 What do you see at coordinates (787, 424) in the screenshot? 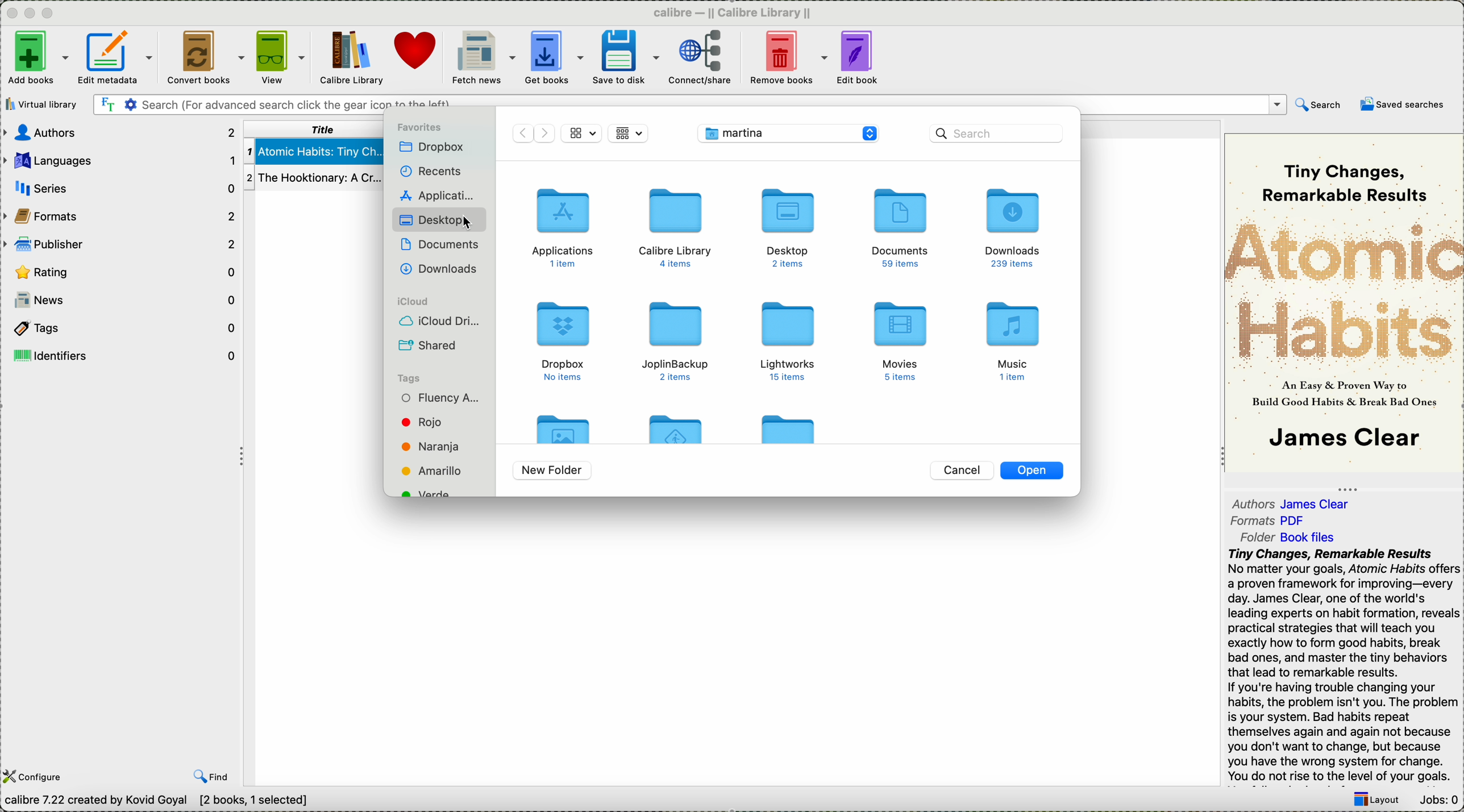
I see `folder` at bounding box center [787, 424].